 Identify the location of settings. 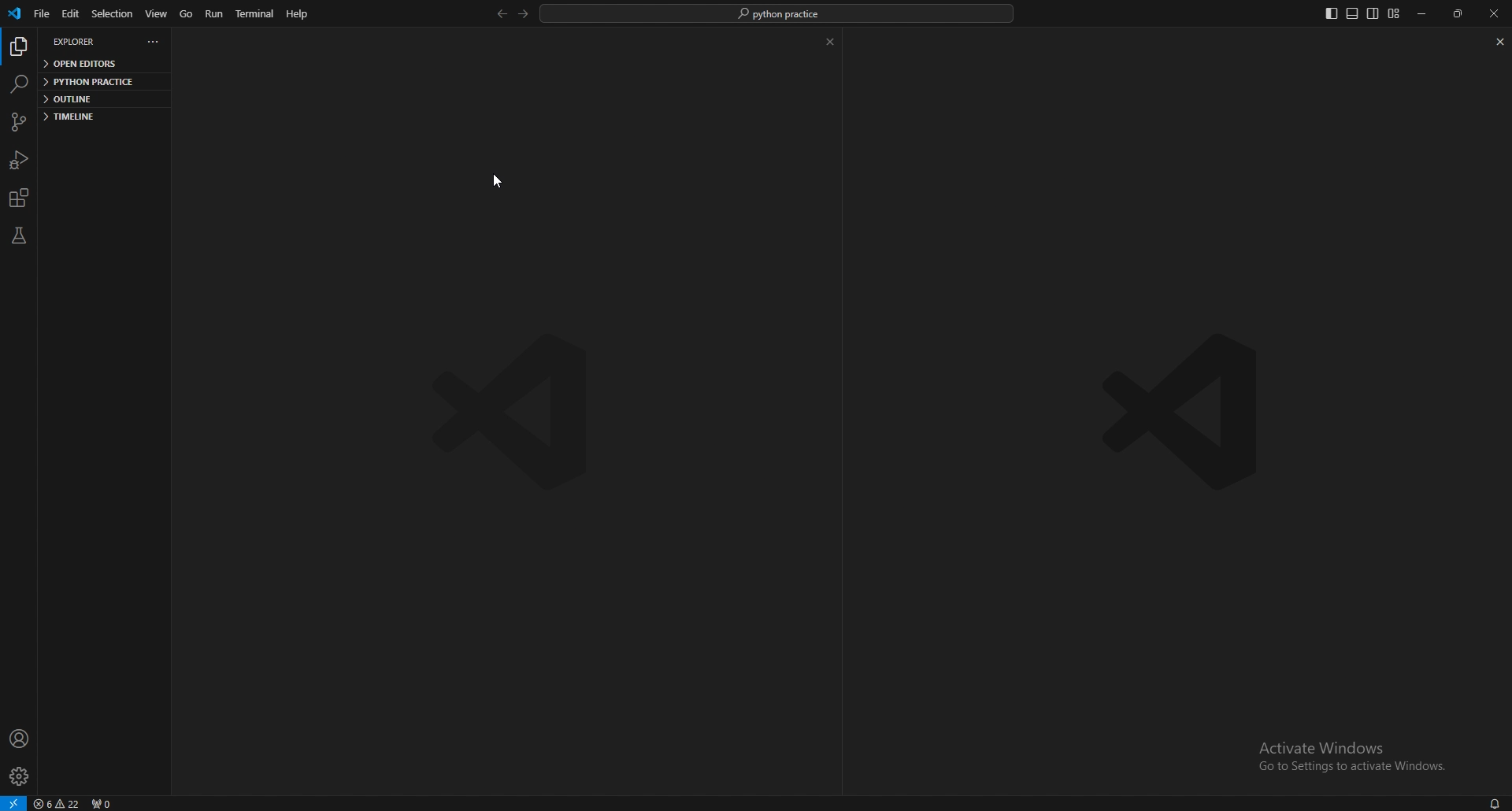
(20, 776).